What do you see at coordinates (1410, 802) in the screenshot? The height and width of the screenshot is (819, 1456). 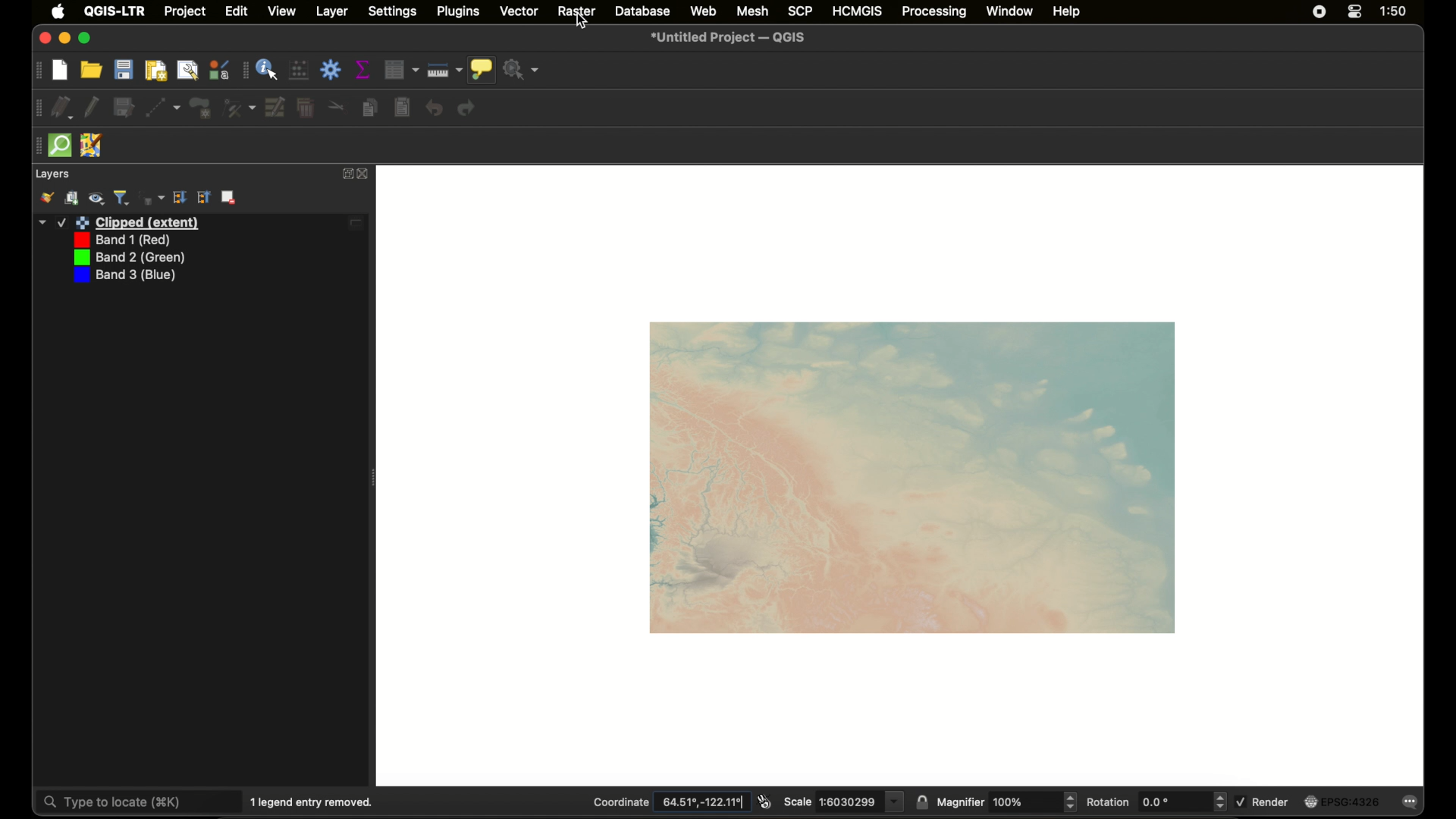 I see `messages` at bounding box center [1410, 802].